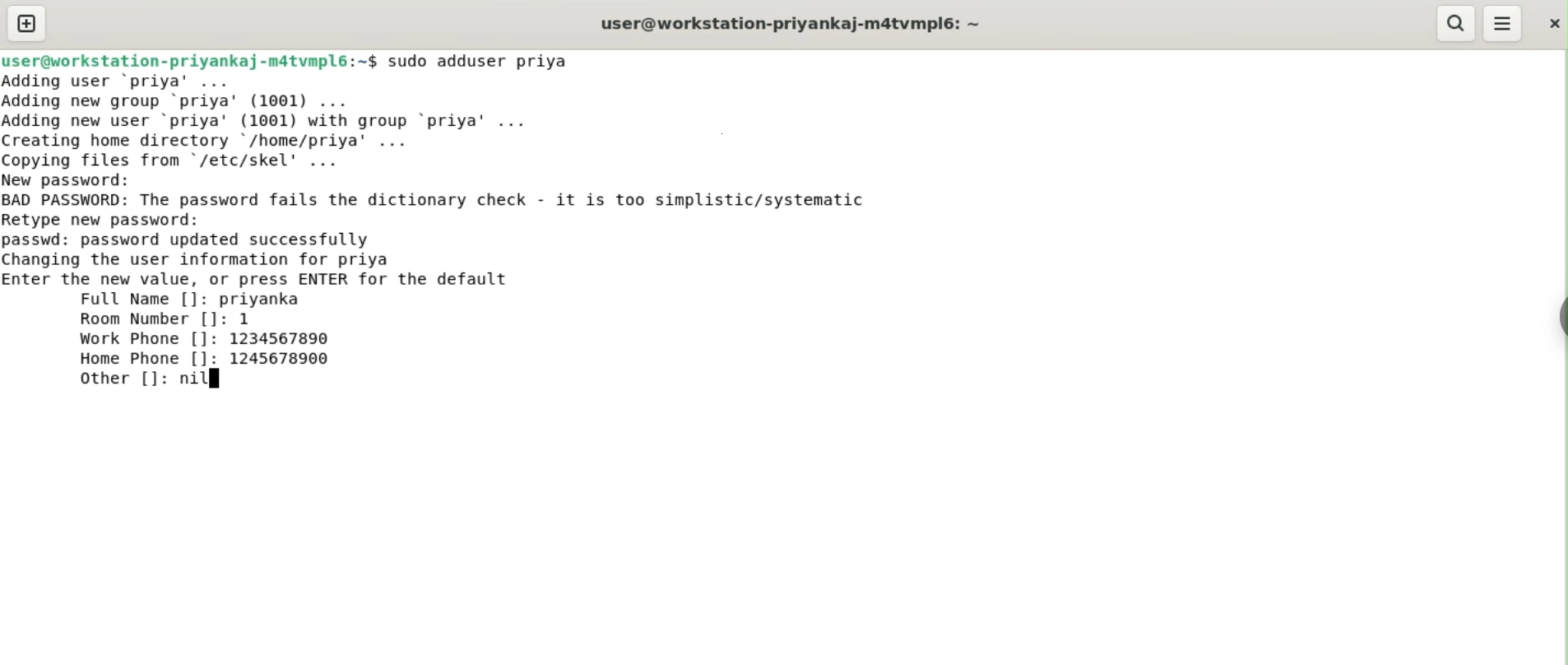  I want to click on 1245678900, so click(285, 360).